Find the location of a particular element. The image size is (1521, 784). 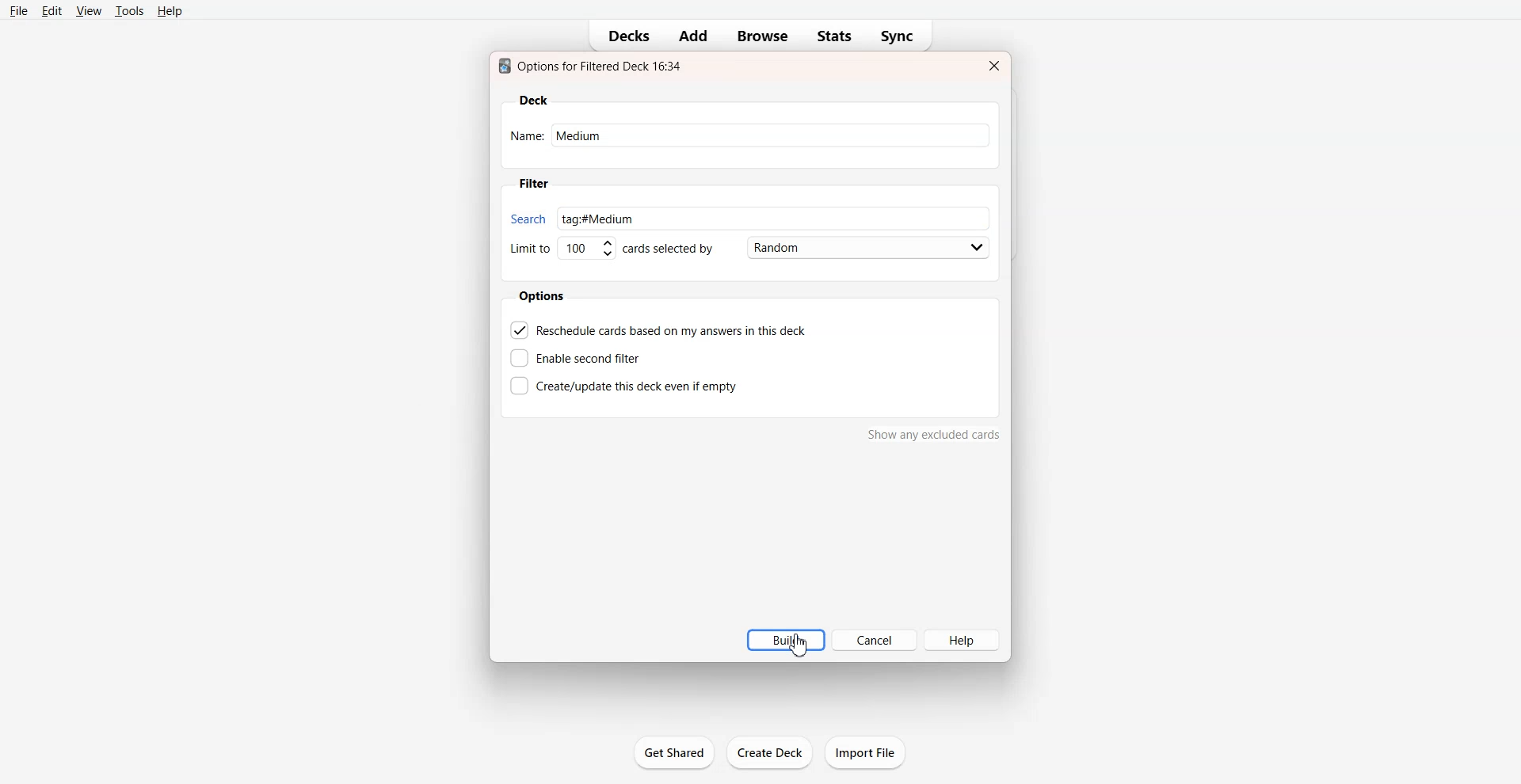

Enable second filter is located at coordinates (581, 358).